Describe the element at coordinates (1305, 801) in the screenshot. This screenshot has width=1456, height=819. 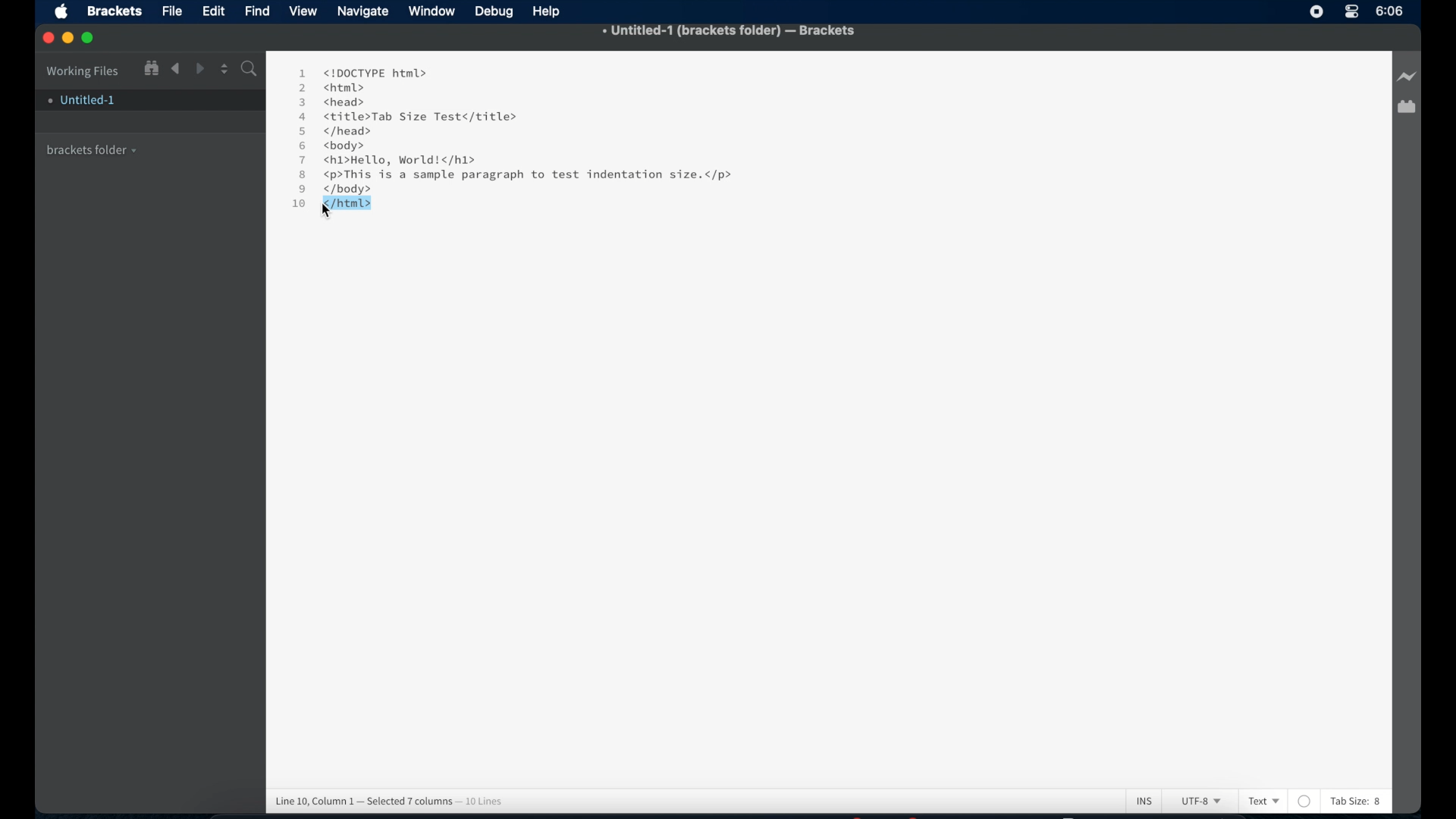
I see `Color` at that location.